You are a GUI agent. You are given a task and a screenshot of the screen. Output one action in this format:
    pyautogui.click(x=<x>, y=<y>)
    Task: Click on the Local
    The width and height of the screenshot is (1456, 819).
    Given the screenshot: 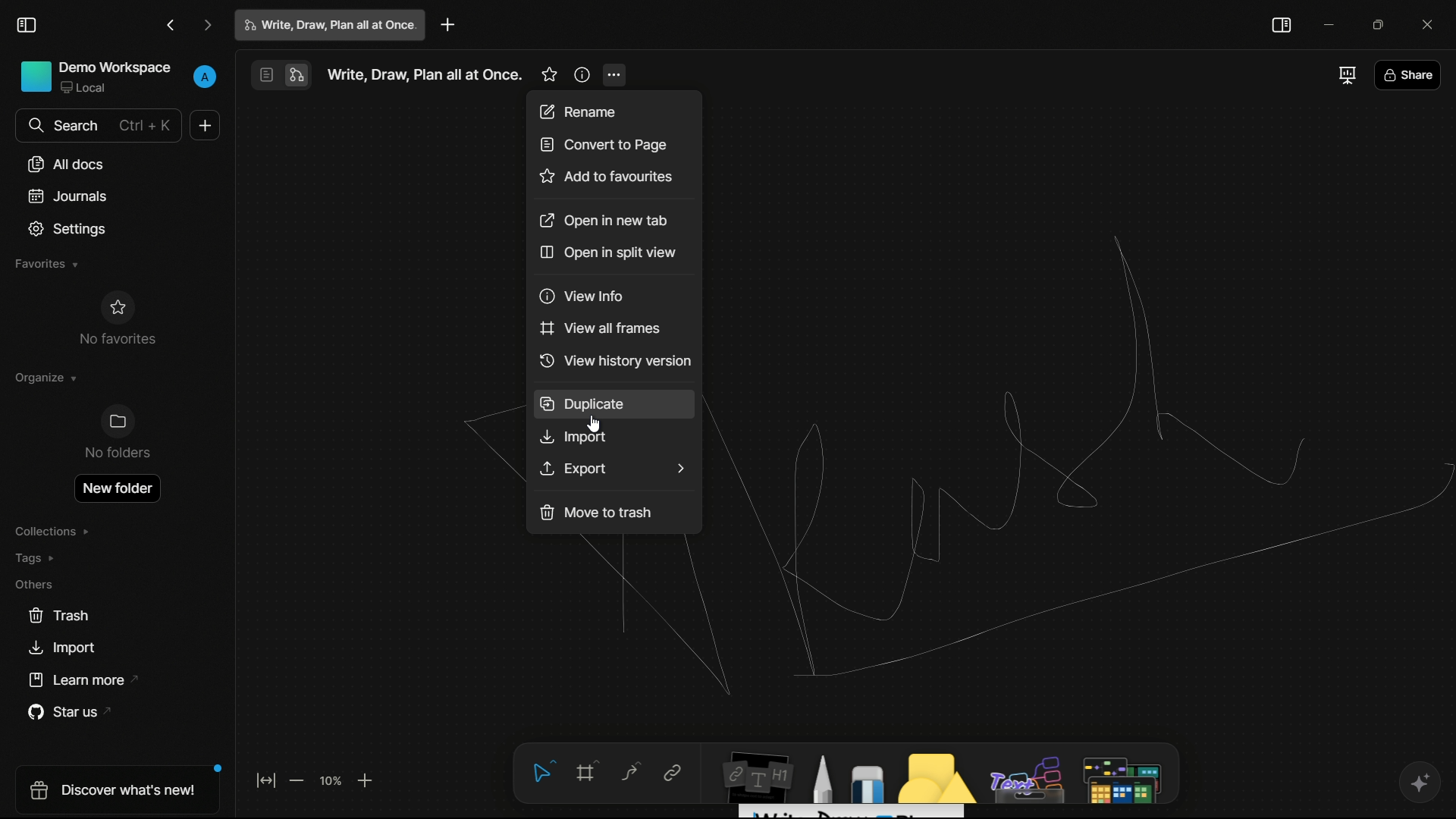 What is the action you would take?
    pyautogui.click(x=95, y=87)
    